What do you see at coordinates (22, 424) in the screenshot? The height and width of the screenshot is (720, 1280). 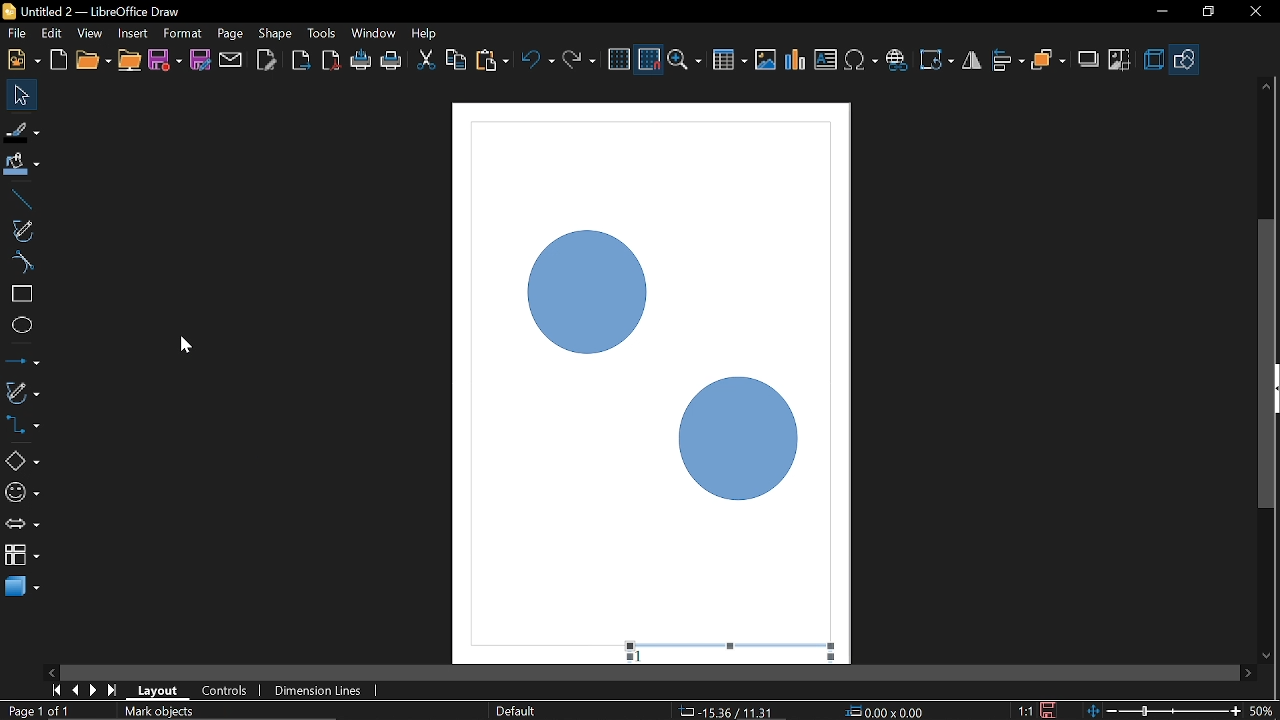 I see `Connector` at bounding box center [22, 424].